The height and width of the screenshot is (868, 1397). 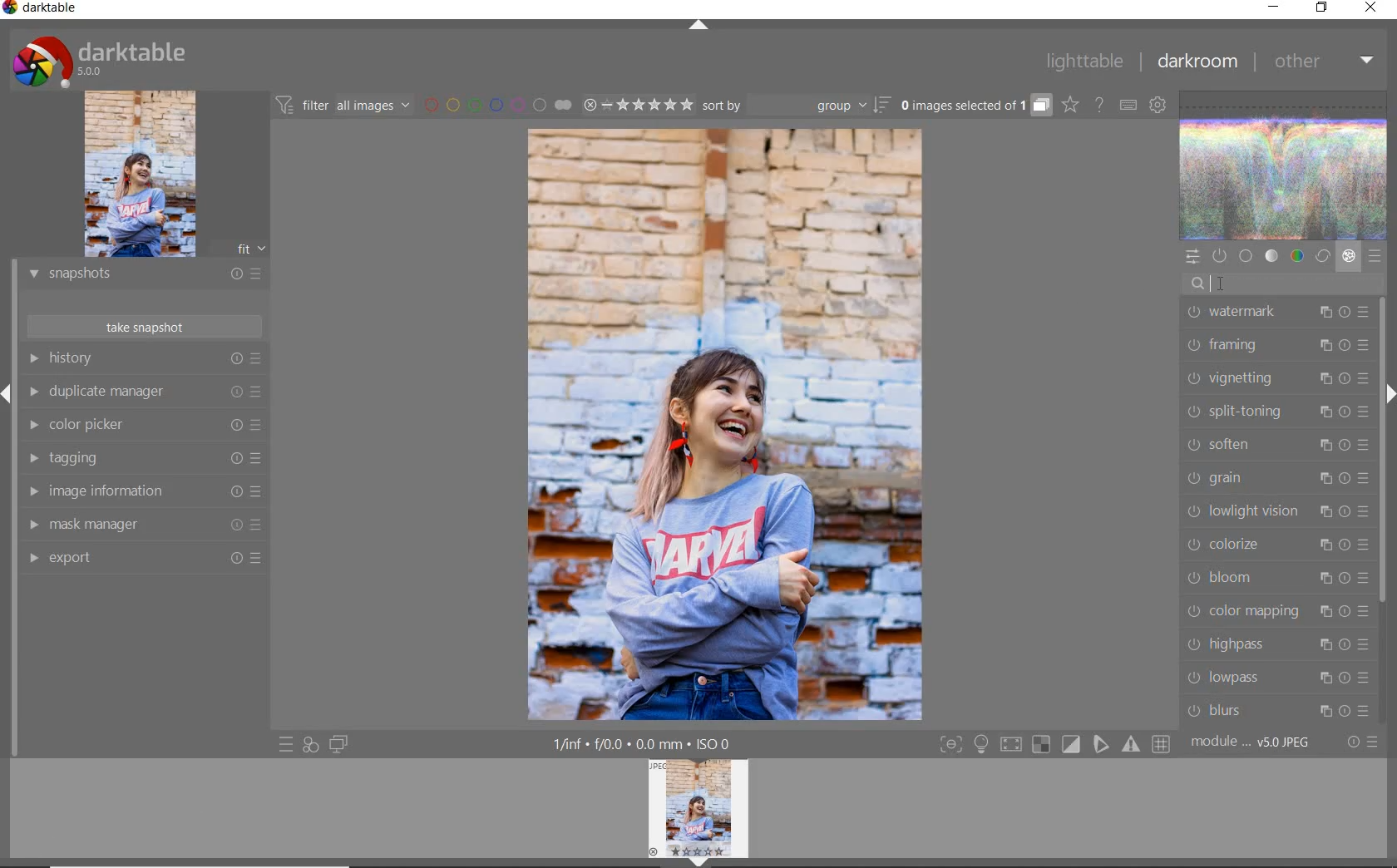 I want to click on module..v50JPEG, so click(x=1253, y=743).